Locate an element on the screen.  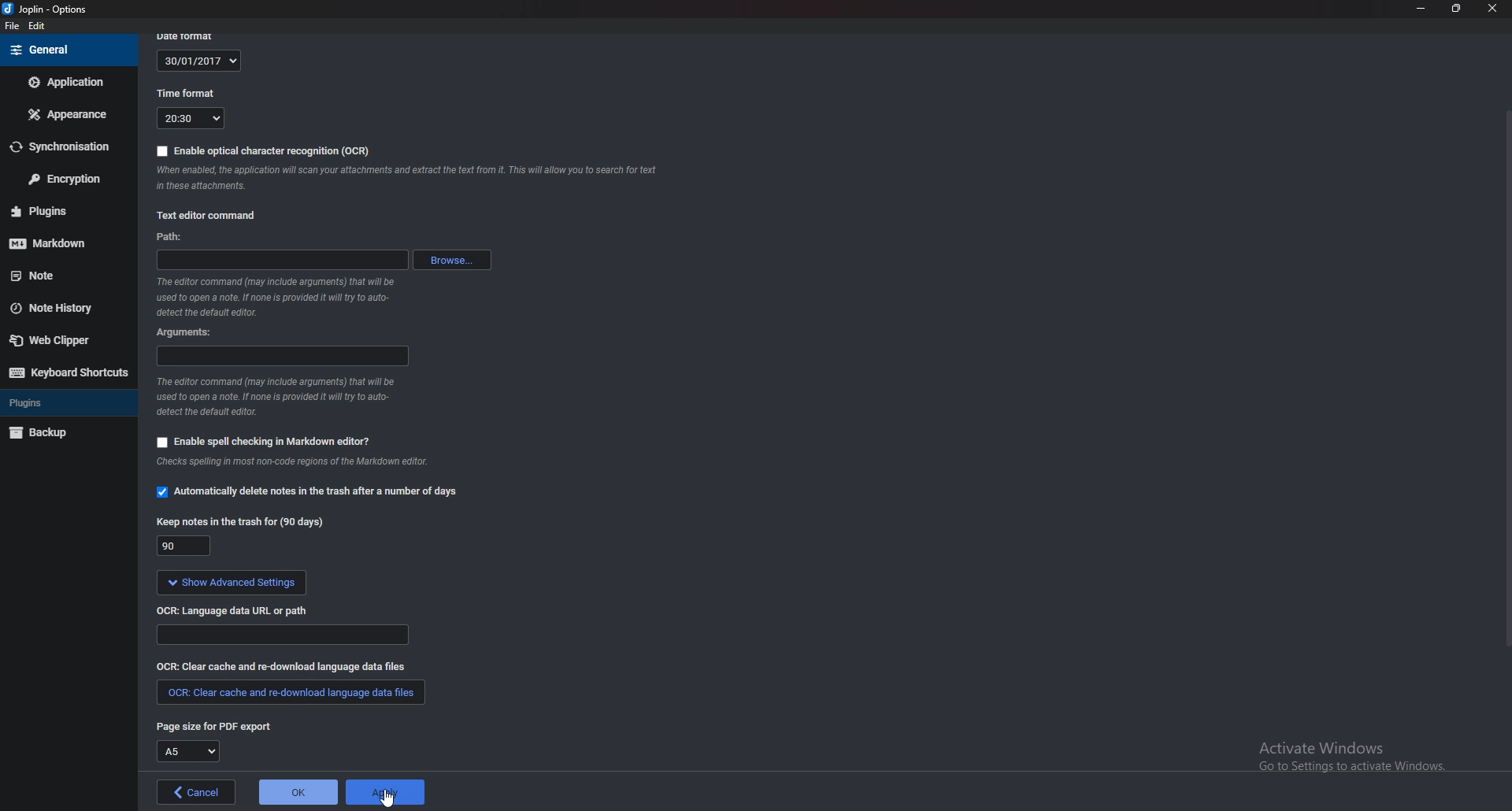
close is located at coordinates (1490, 8).